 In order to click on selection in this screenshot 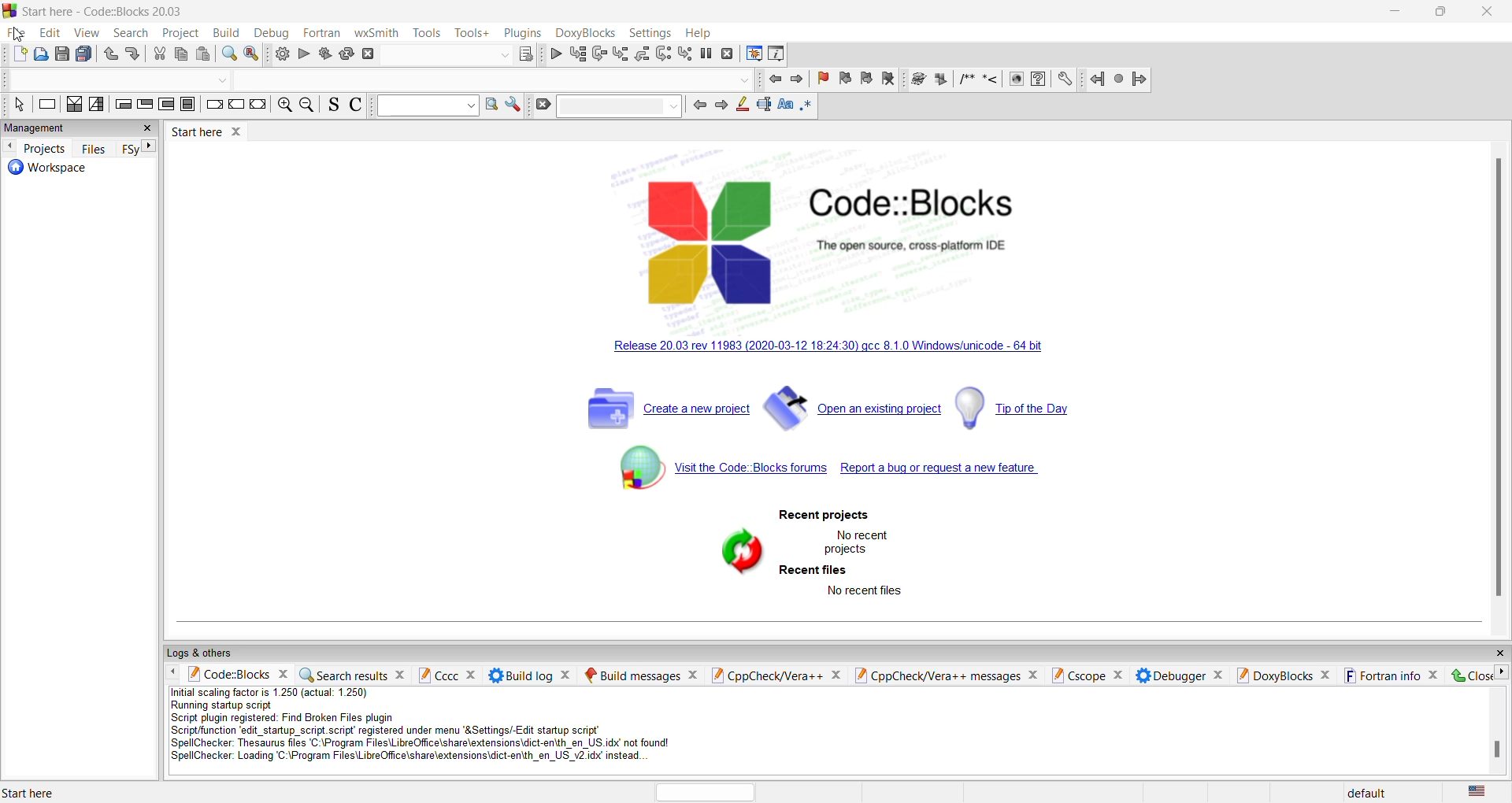, I will do `click(97, 105)`.